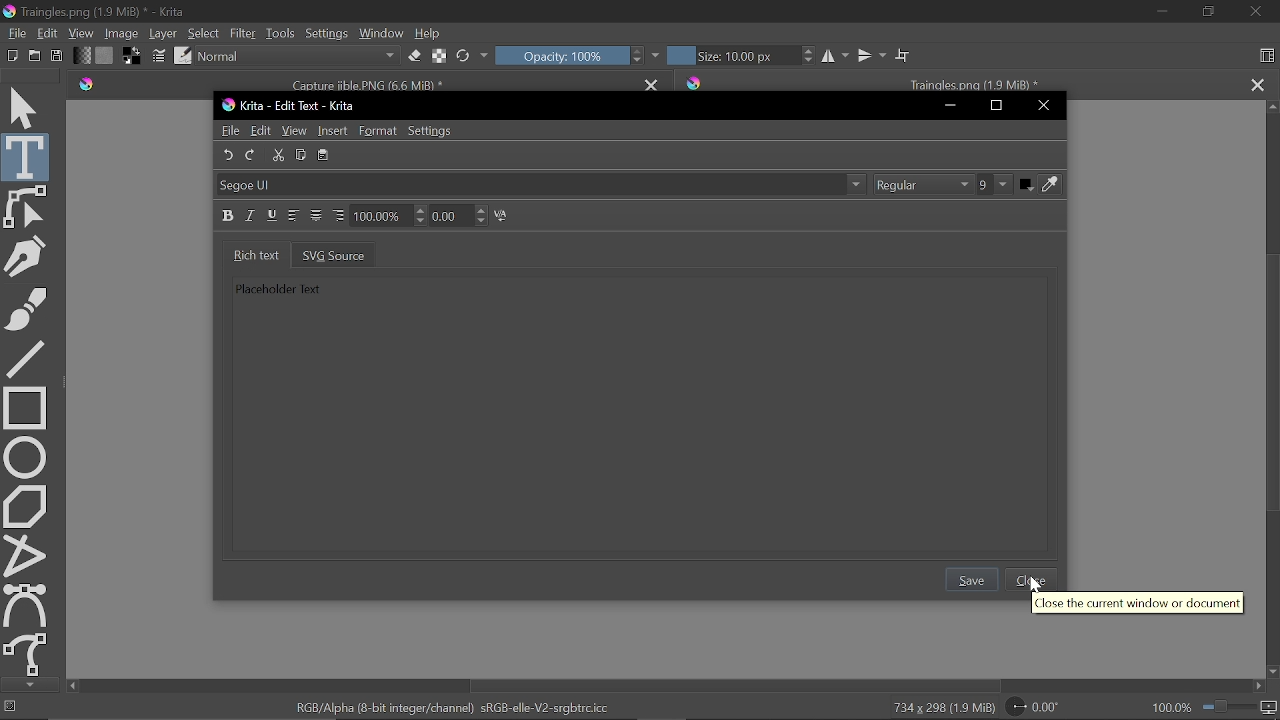  Describe the element at coordinates (1044, 708) in the screenshot. I see `Rotate` at that location.